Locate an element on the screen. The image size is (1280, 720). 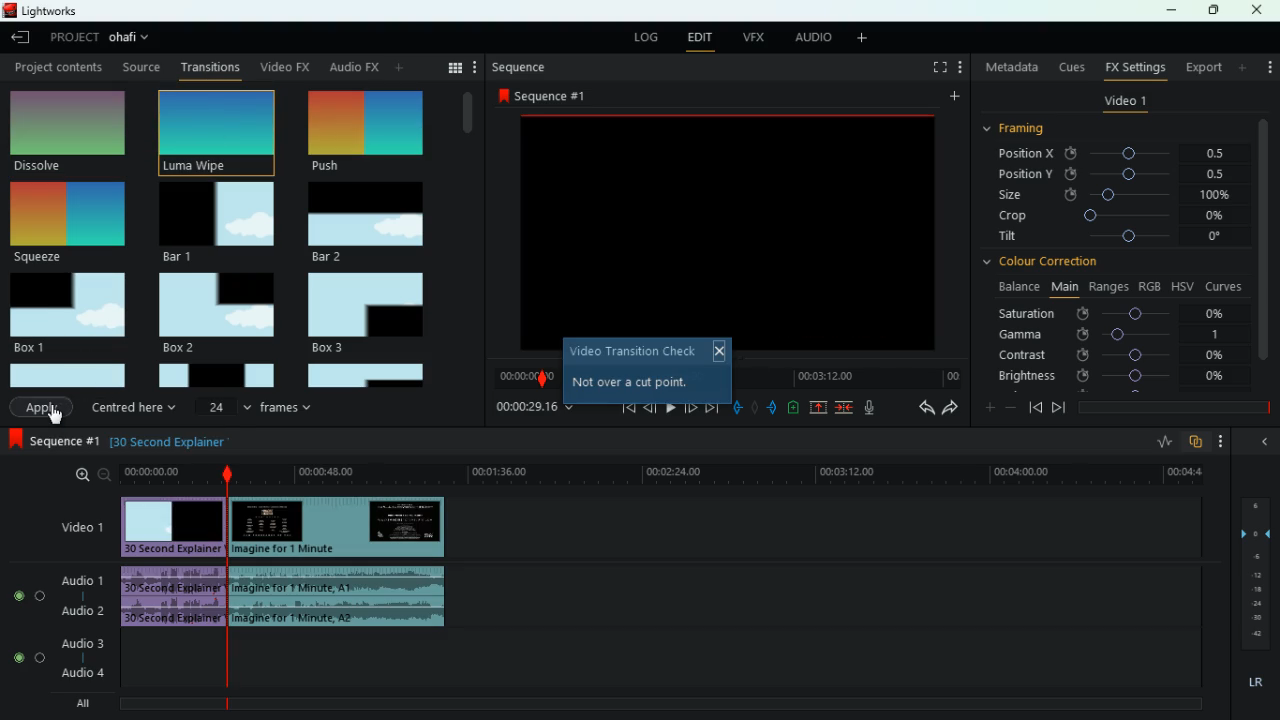
audio is located at coordinates (350, 599).